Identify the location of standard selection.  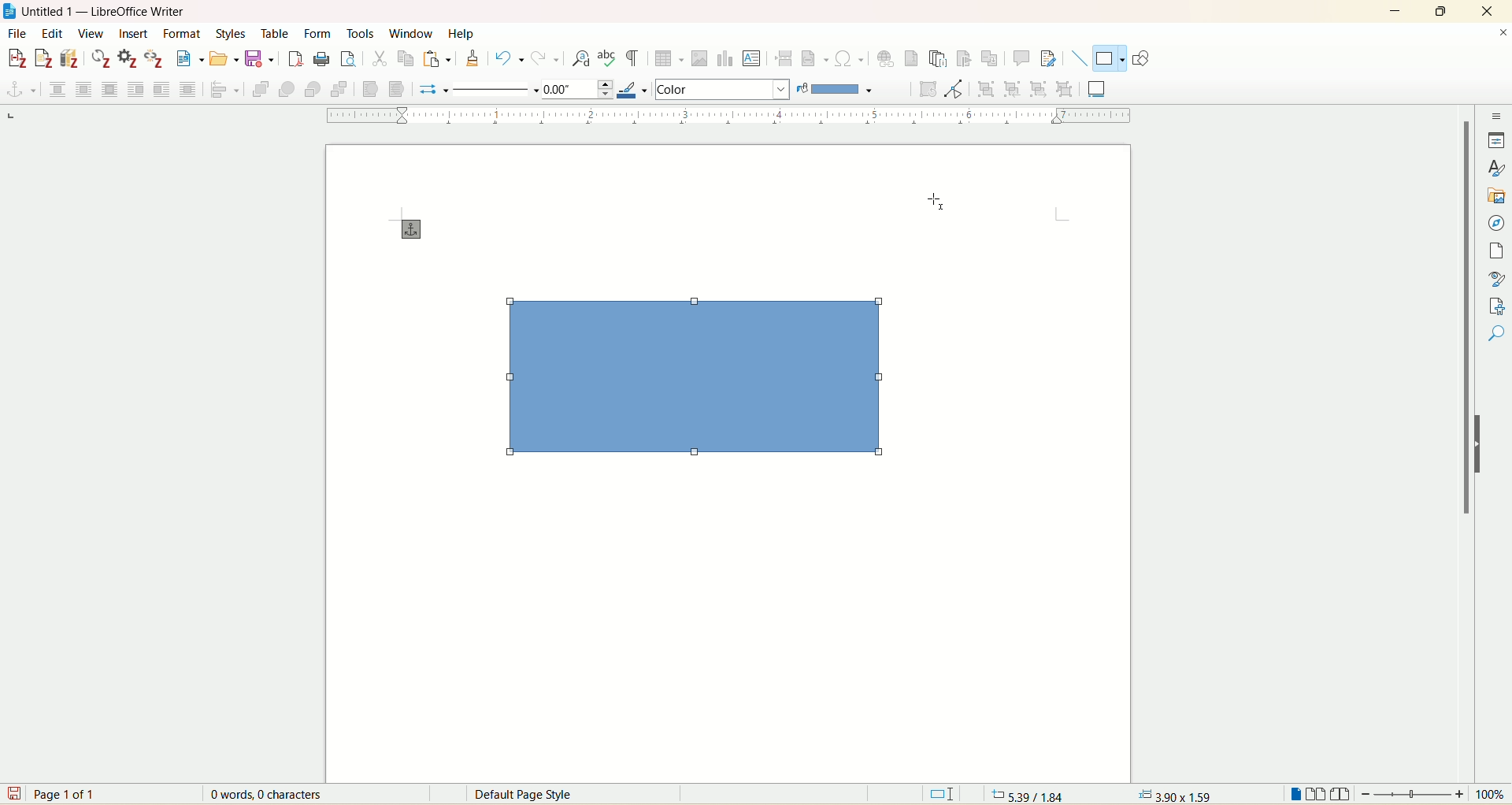
(943, 793).